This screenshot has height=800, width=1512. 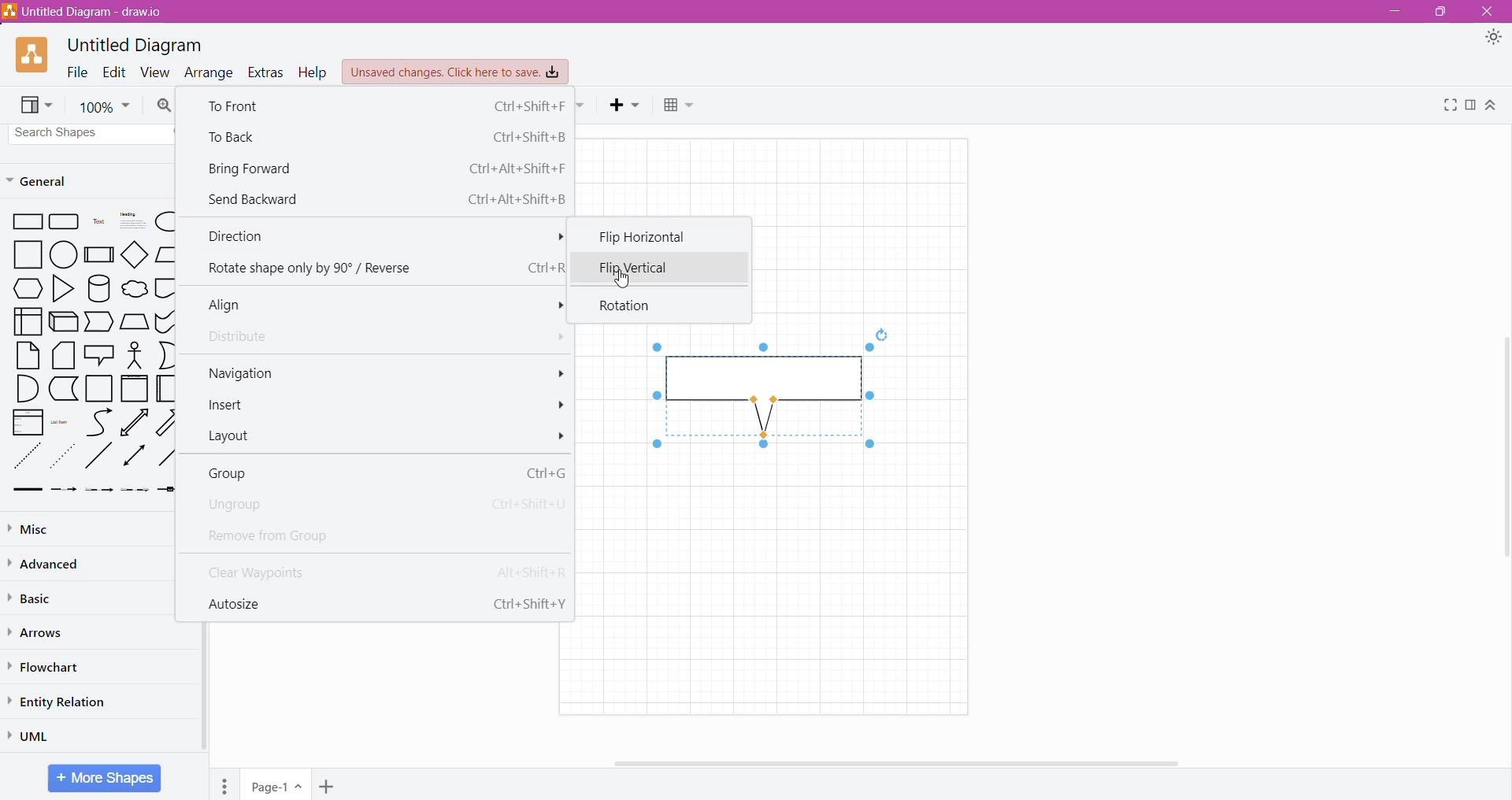 I want to click on Vertical Scroll Bar, so click(x=192, y=694).